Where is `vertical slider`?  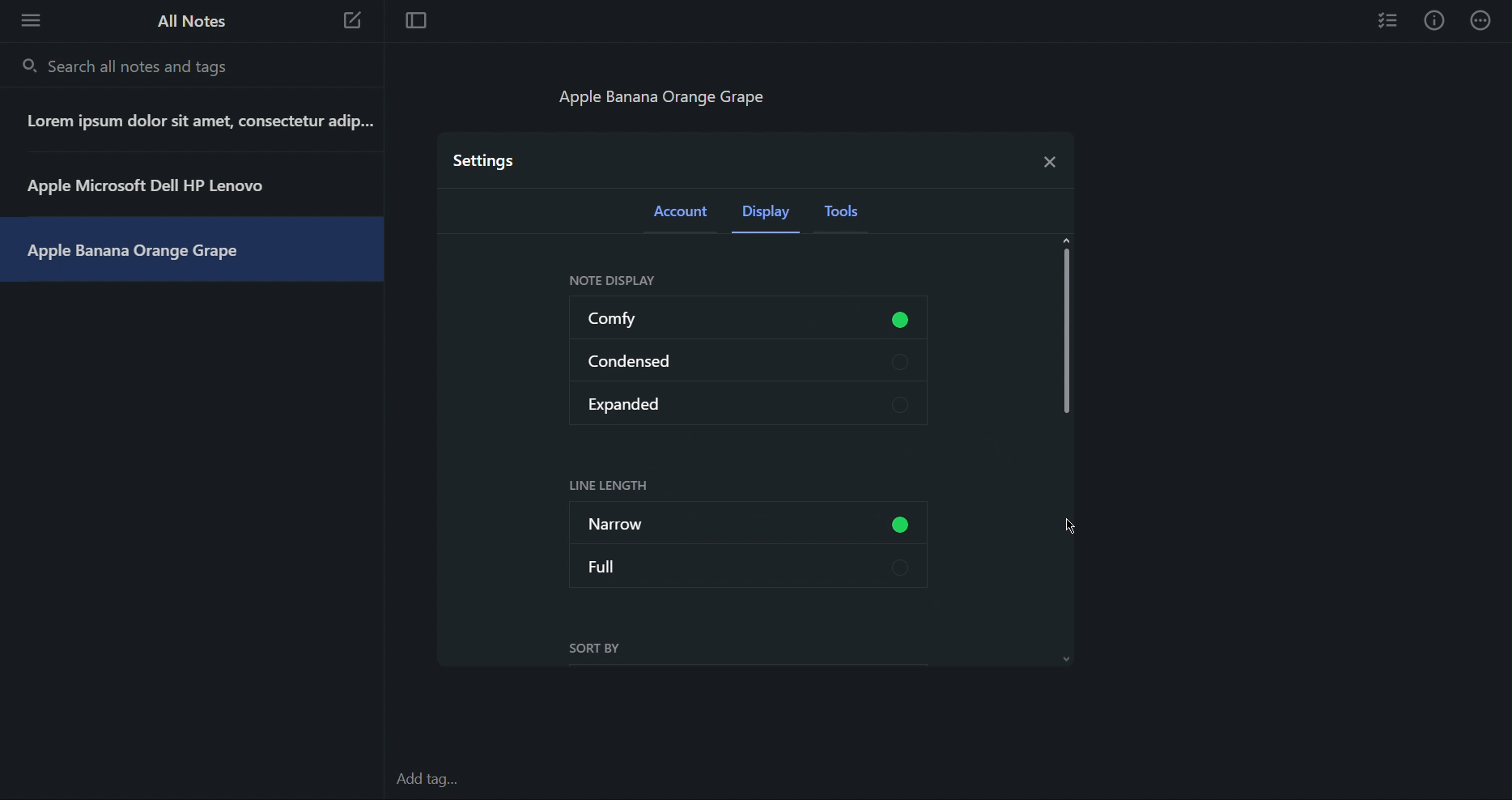 vertical slider is located at coordinates (1068, 335).